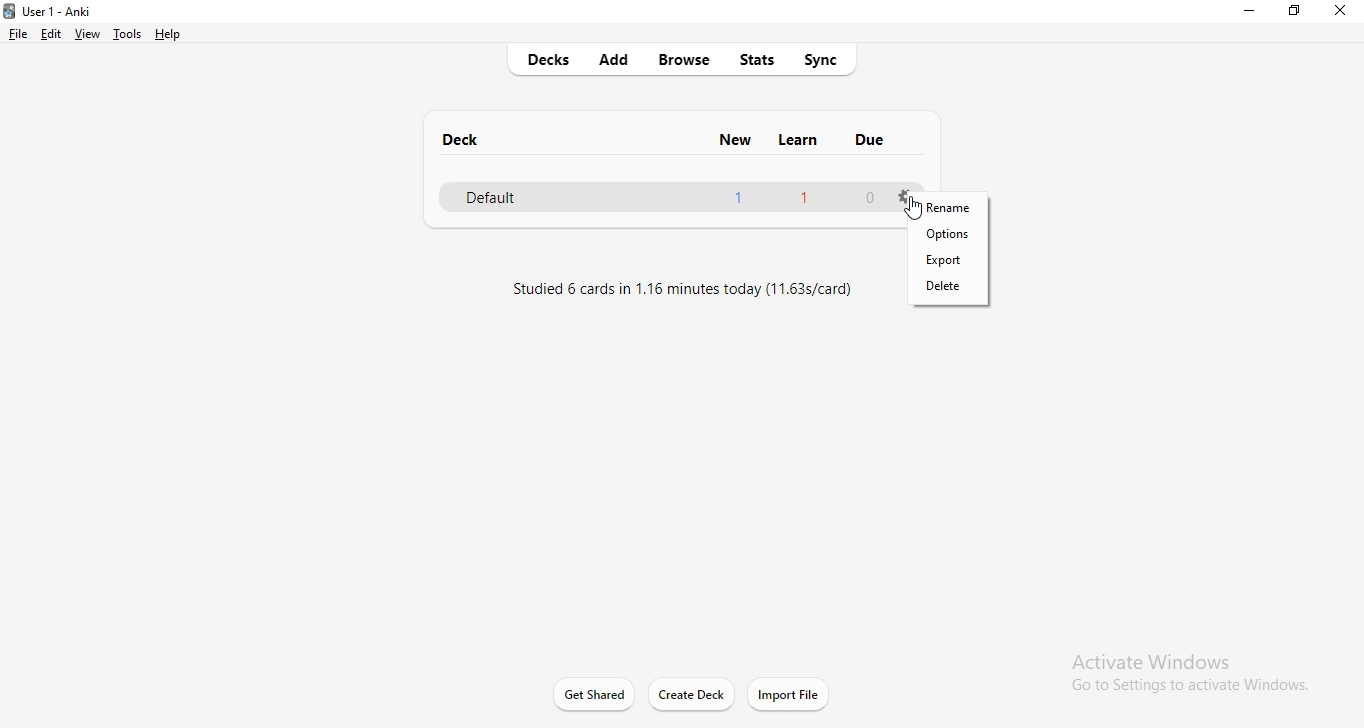 The image size is (1364, 728). What do you see at coordinates (914, 210) in the screenshot?
I see `cursor` at bounding box center [914, 210].